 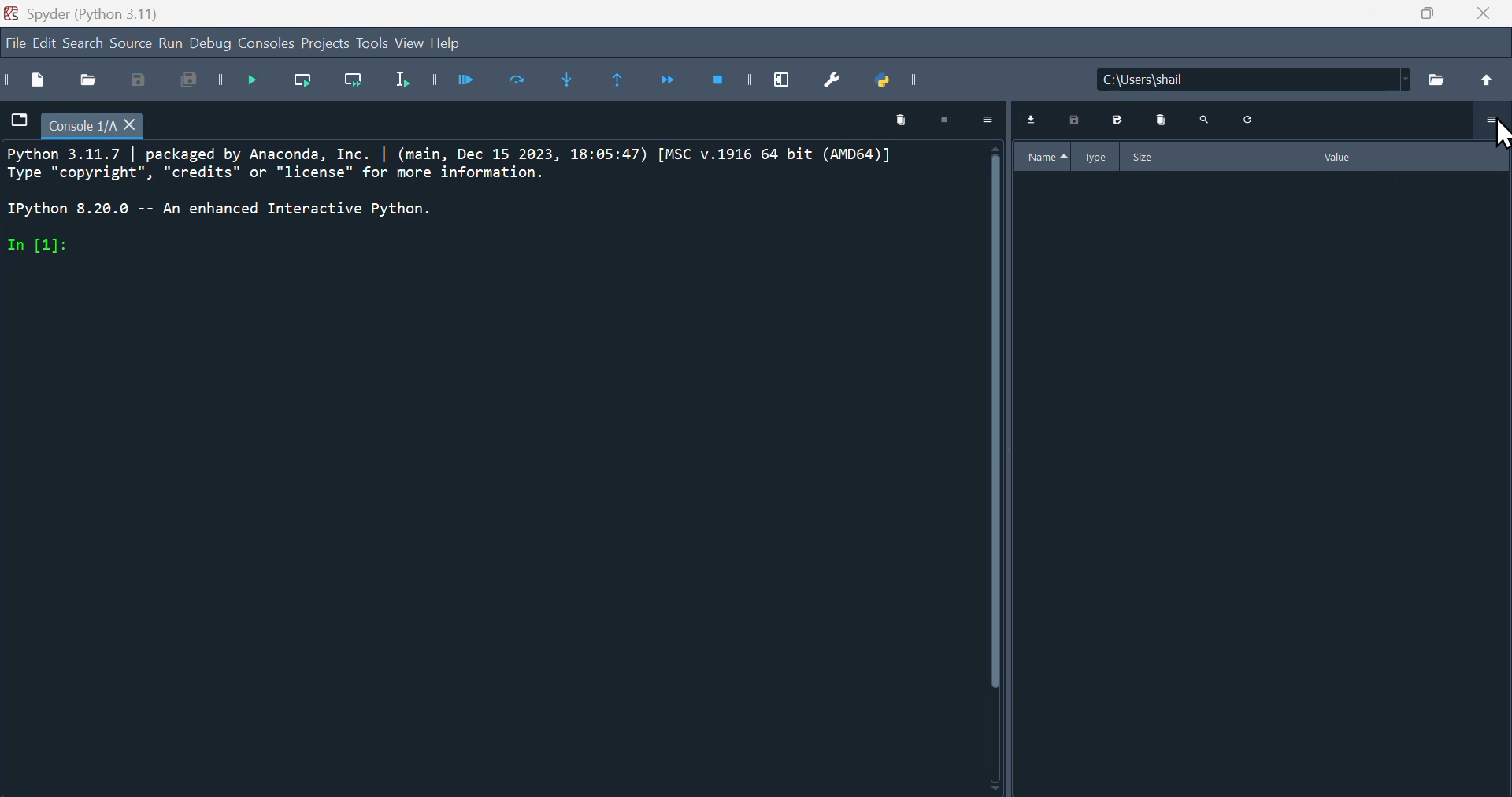 I want to click on Tools, so click(x=369, y=44).